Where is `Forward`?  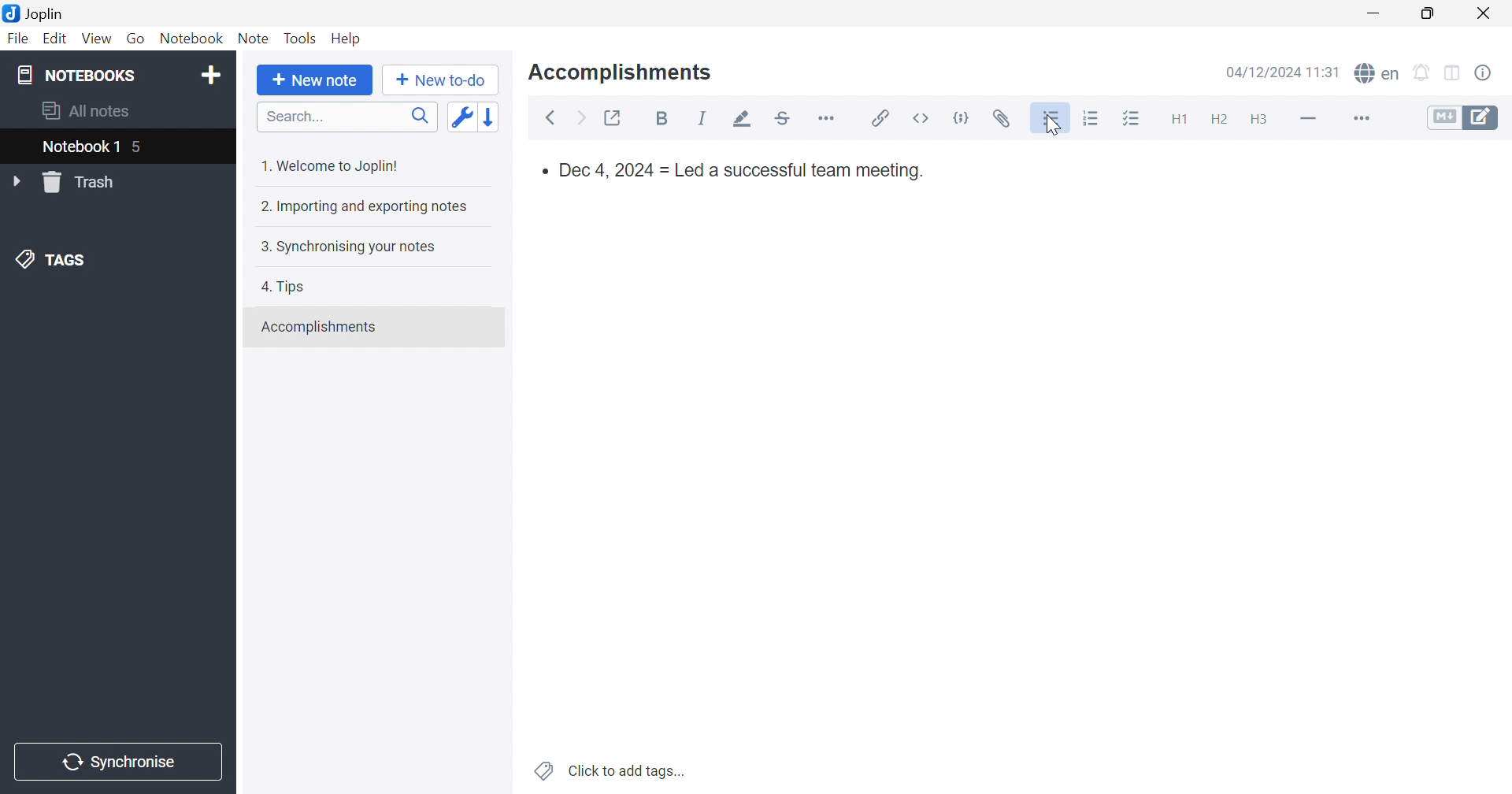 Forward is located at coordinates (580, 117).